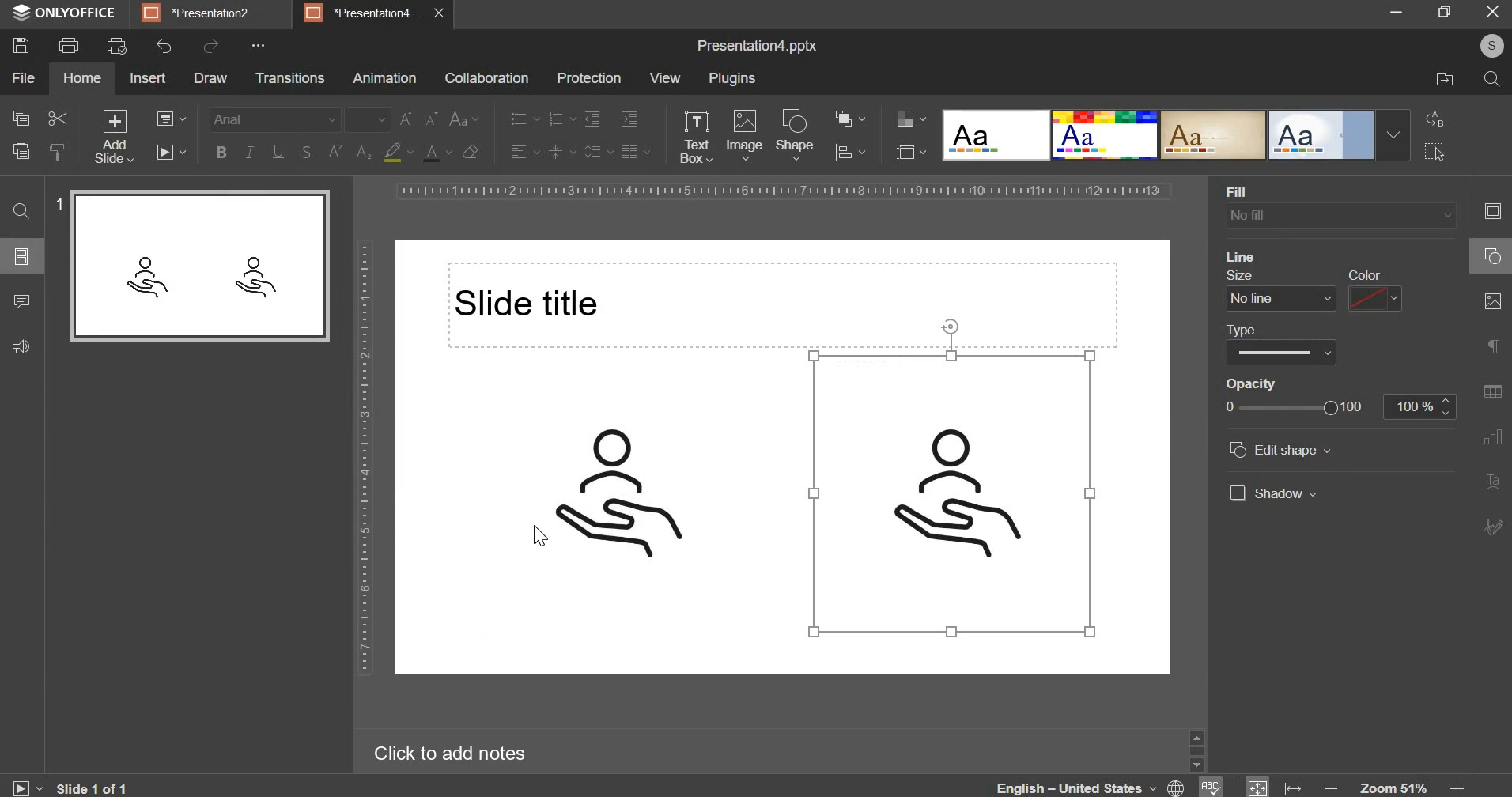 This screenshot has height=797, width=1512. Describe the element at coordinates (1491, 483) in the screenshot. I see `text art` at that location.